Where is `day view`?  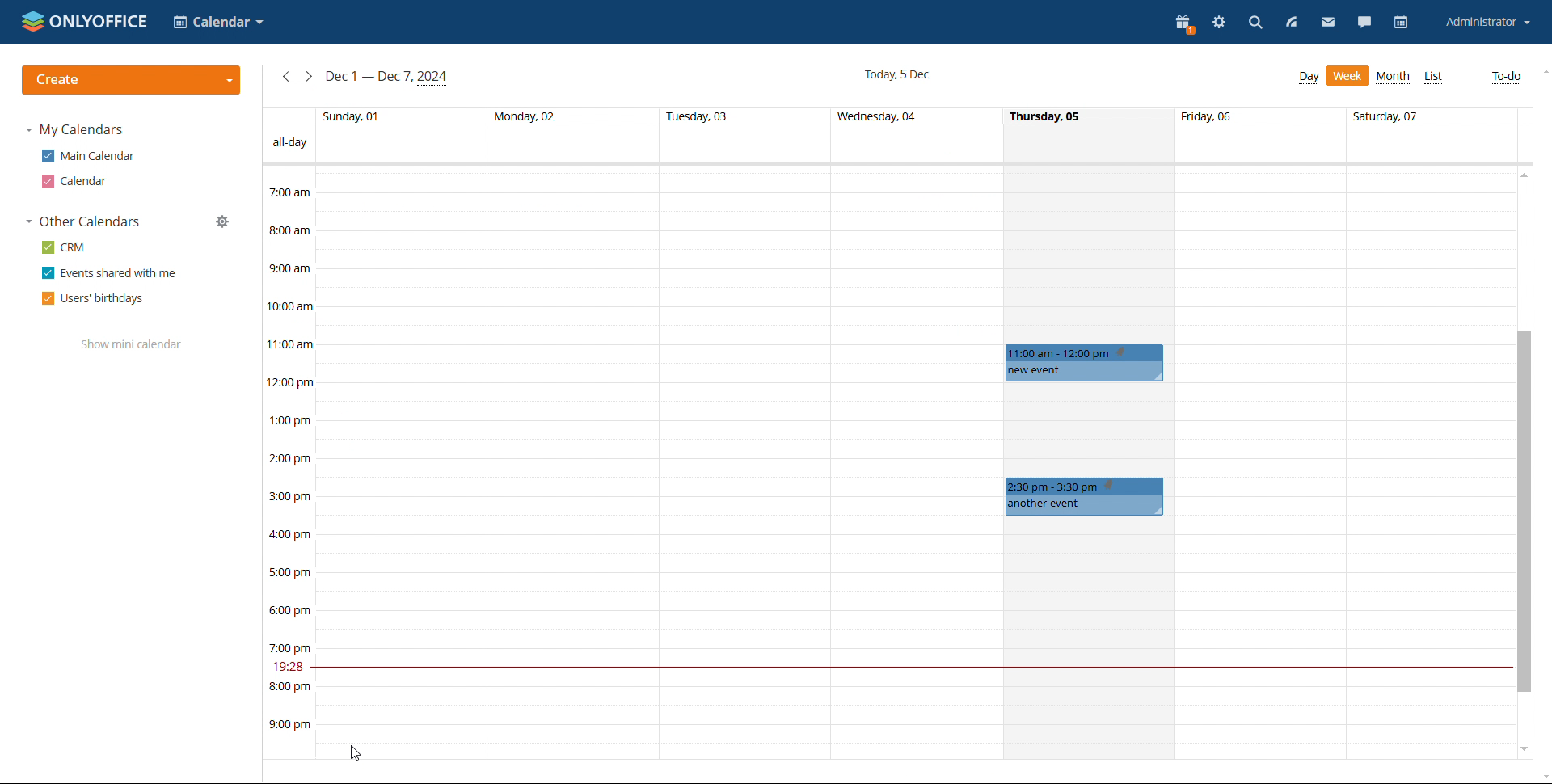 day view is located at coordinates (1347, 75).